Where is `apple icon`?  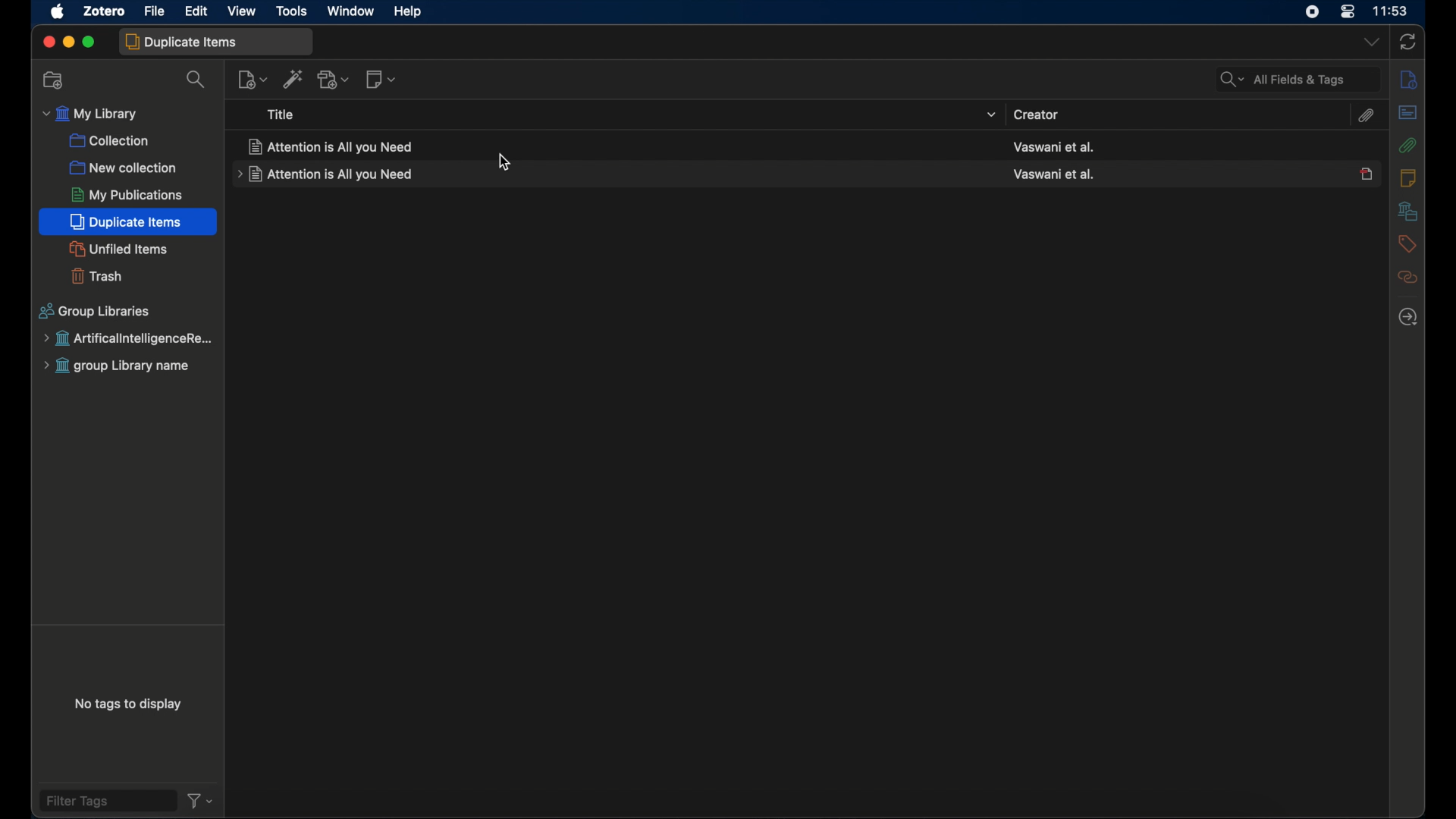 apple icon is located at coordinates (58, 12).